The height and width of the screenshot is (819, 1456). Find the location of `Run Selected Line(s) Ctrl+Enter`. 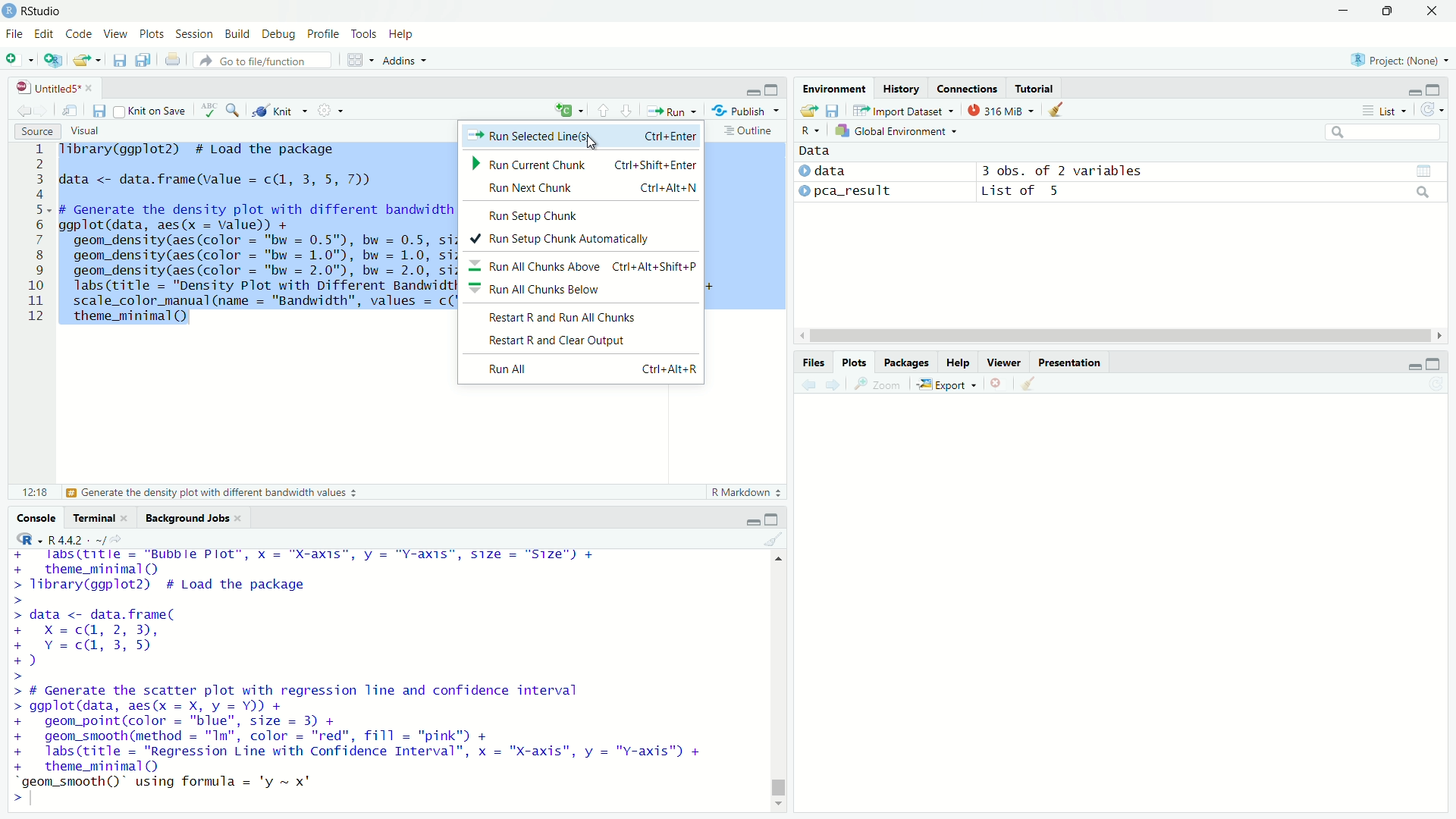

Run Selected Line(s) Ctrl+Enter is located at coordinates (582, 136).